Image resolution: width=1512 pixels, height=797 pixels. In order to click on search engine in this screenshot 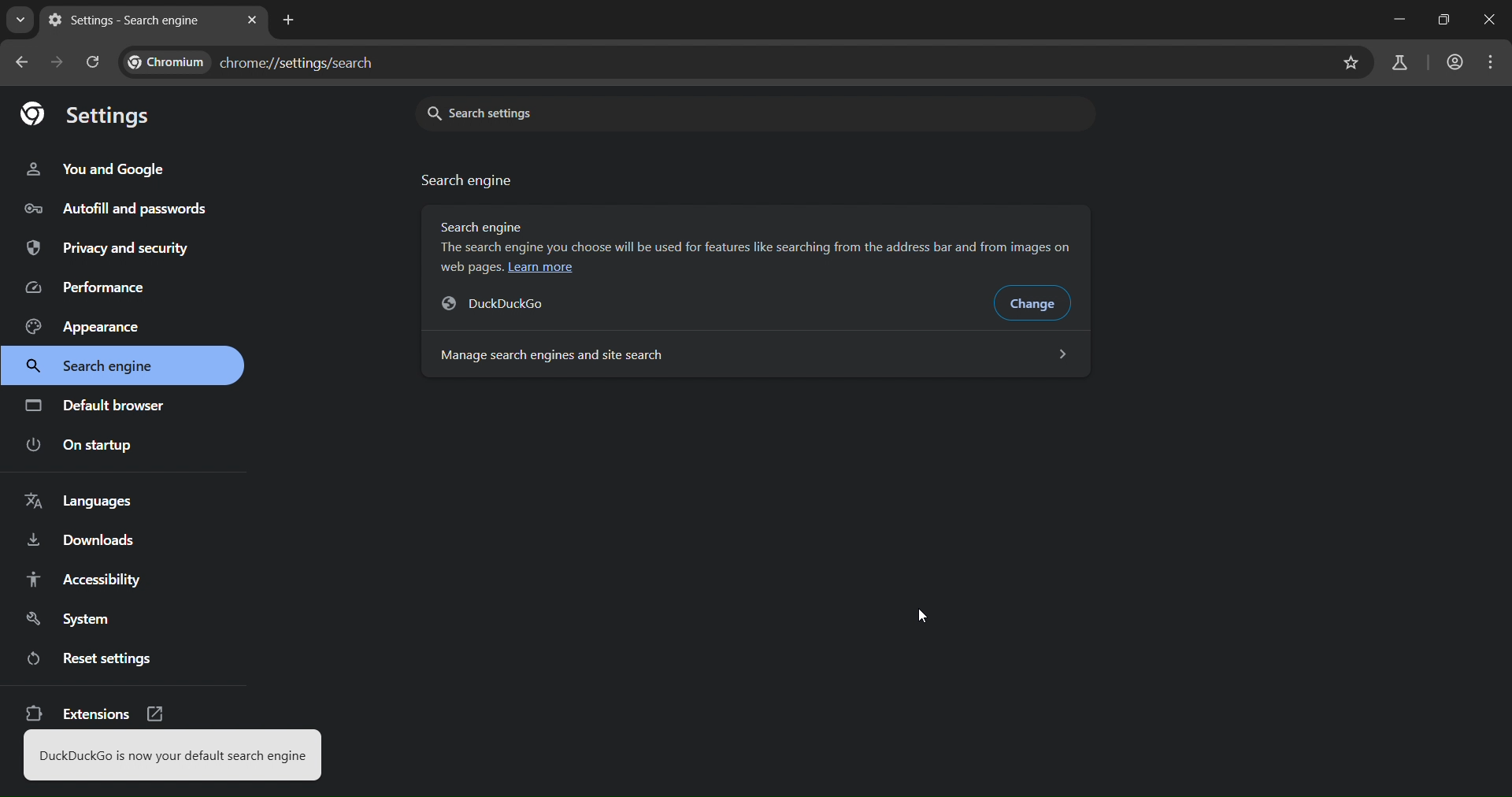, I will do `click(98, 367)`.